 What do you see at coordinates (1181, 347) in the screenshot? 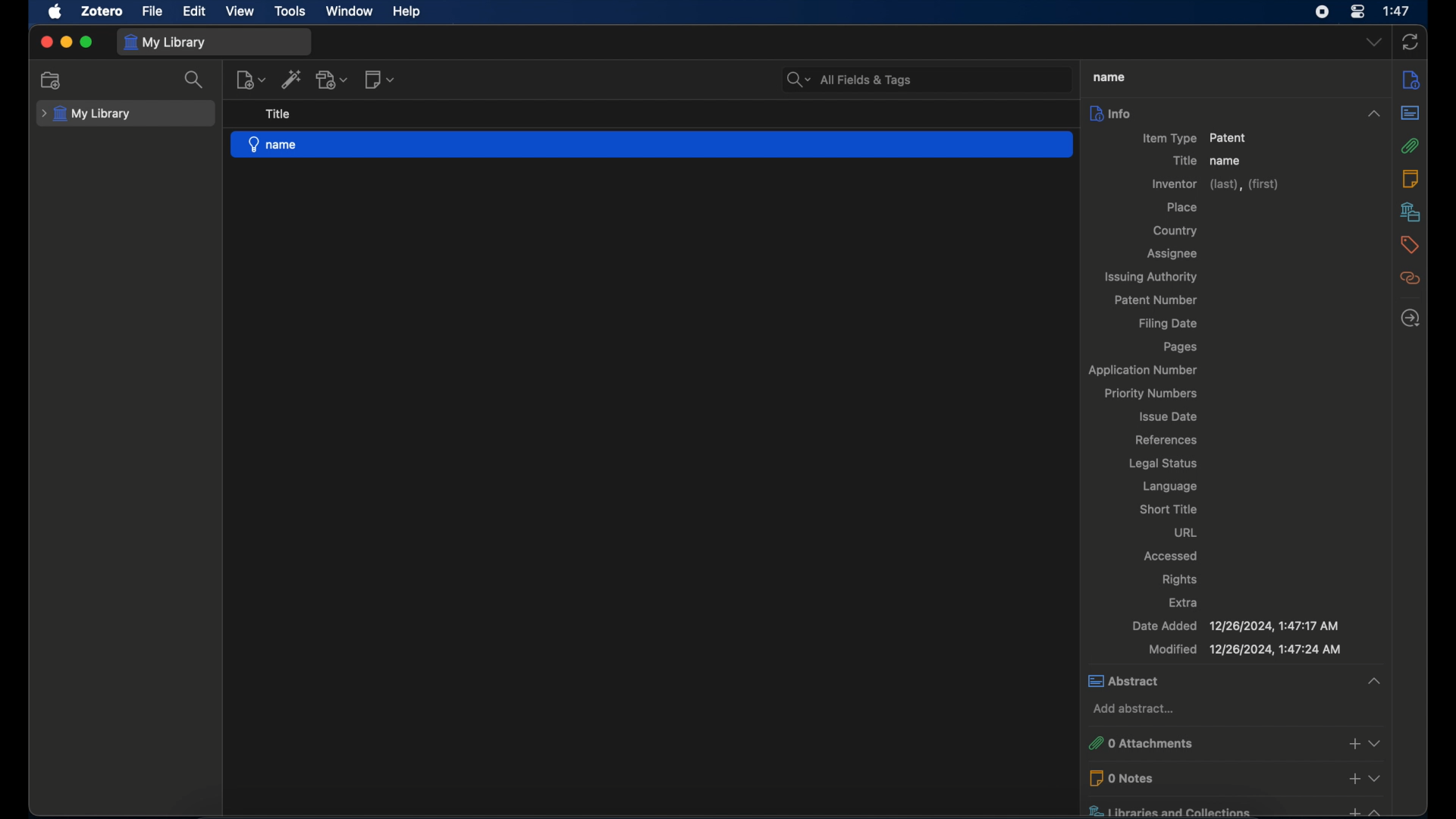
I see `pages` at bounding box center [1181, 347].